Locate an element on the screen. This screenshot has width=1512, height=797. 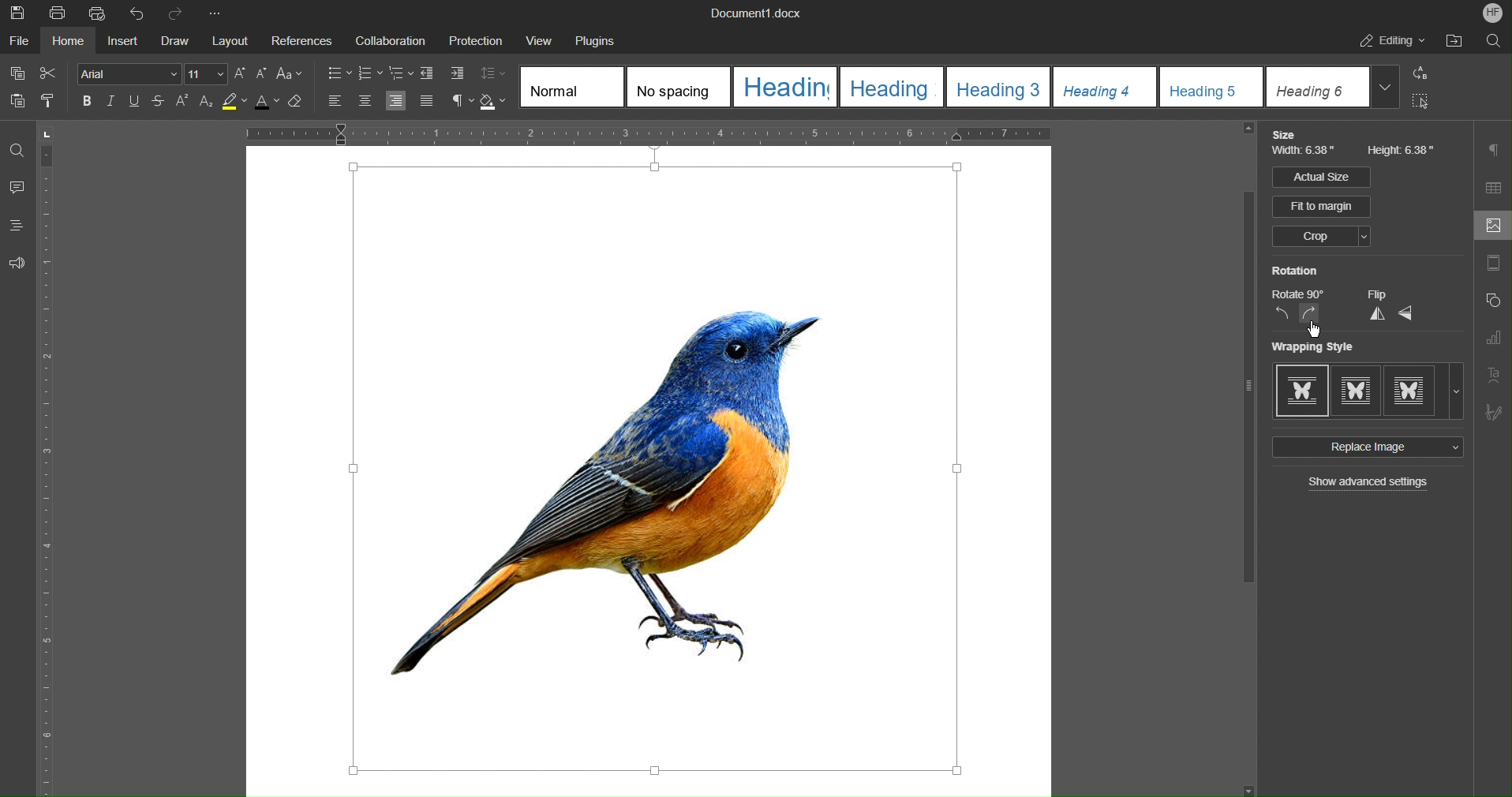
Find is located at coordinates (1491, 41).